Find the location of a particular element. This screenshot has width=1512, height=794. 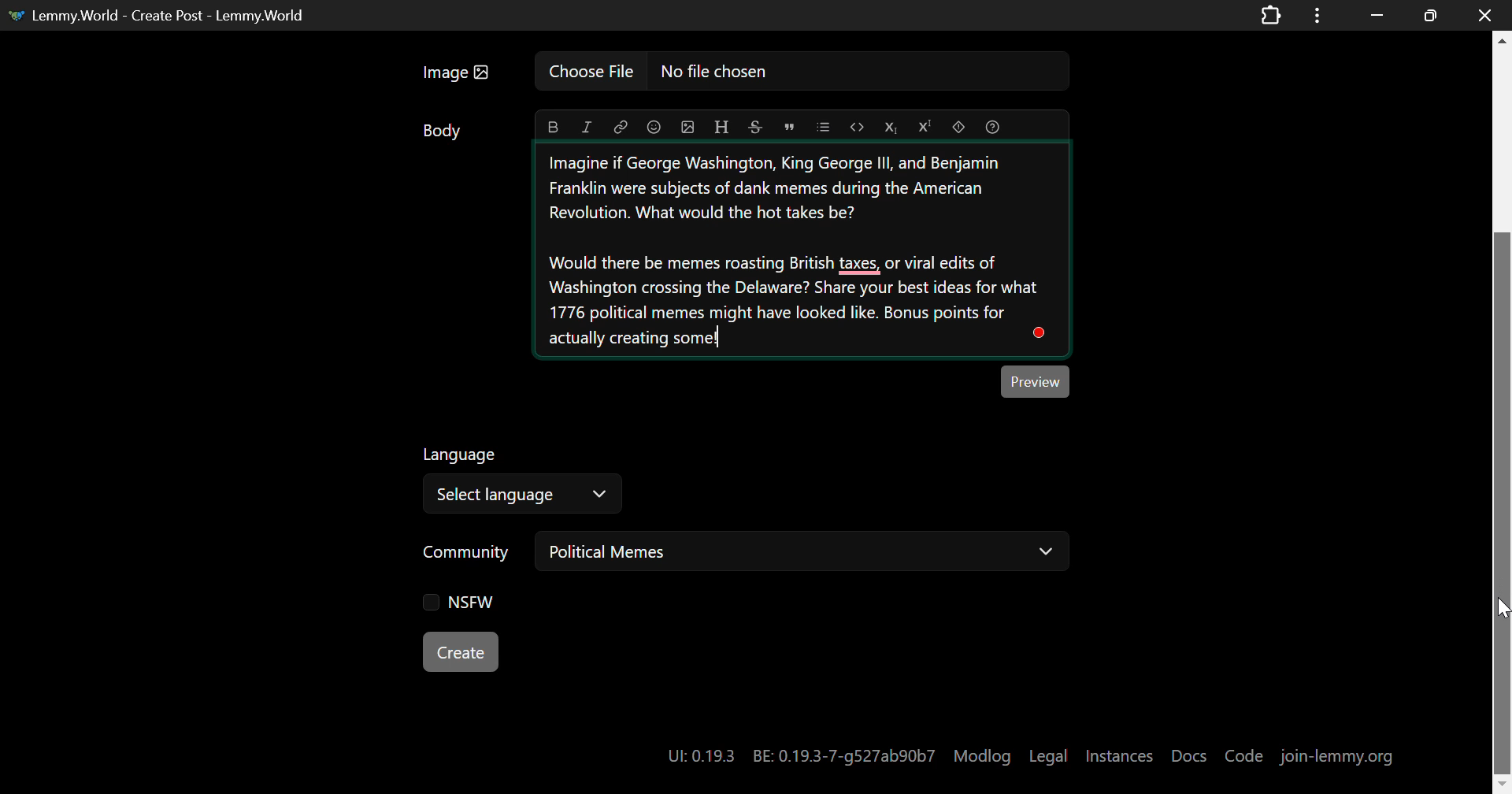

Select Post Language is located at coordinates (528, 480).